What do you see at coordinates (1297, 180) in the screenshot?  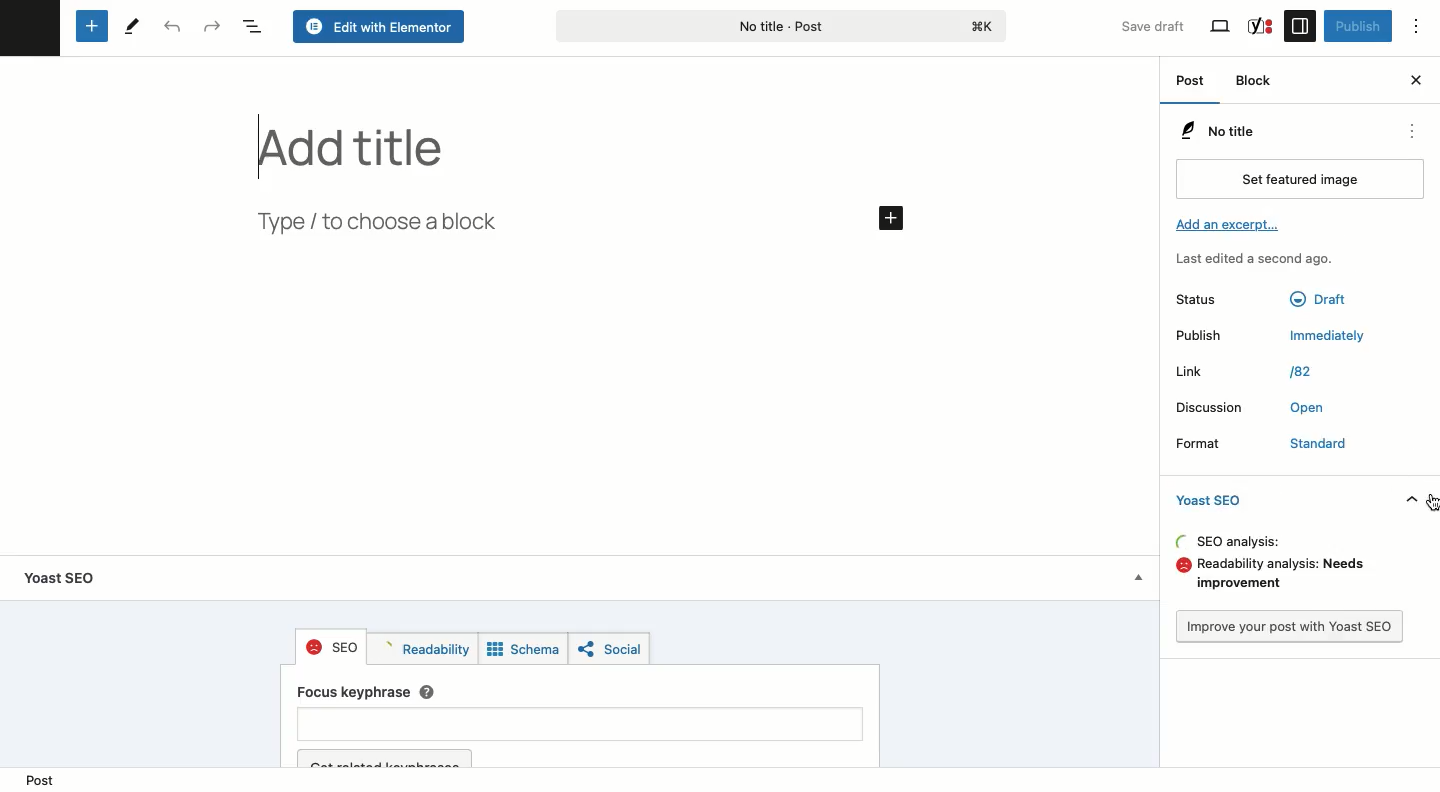 I see `Set featured image` at bounding box center [1297, 180].